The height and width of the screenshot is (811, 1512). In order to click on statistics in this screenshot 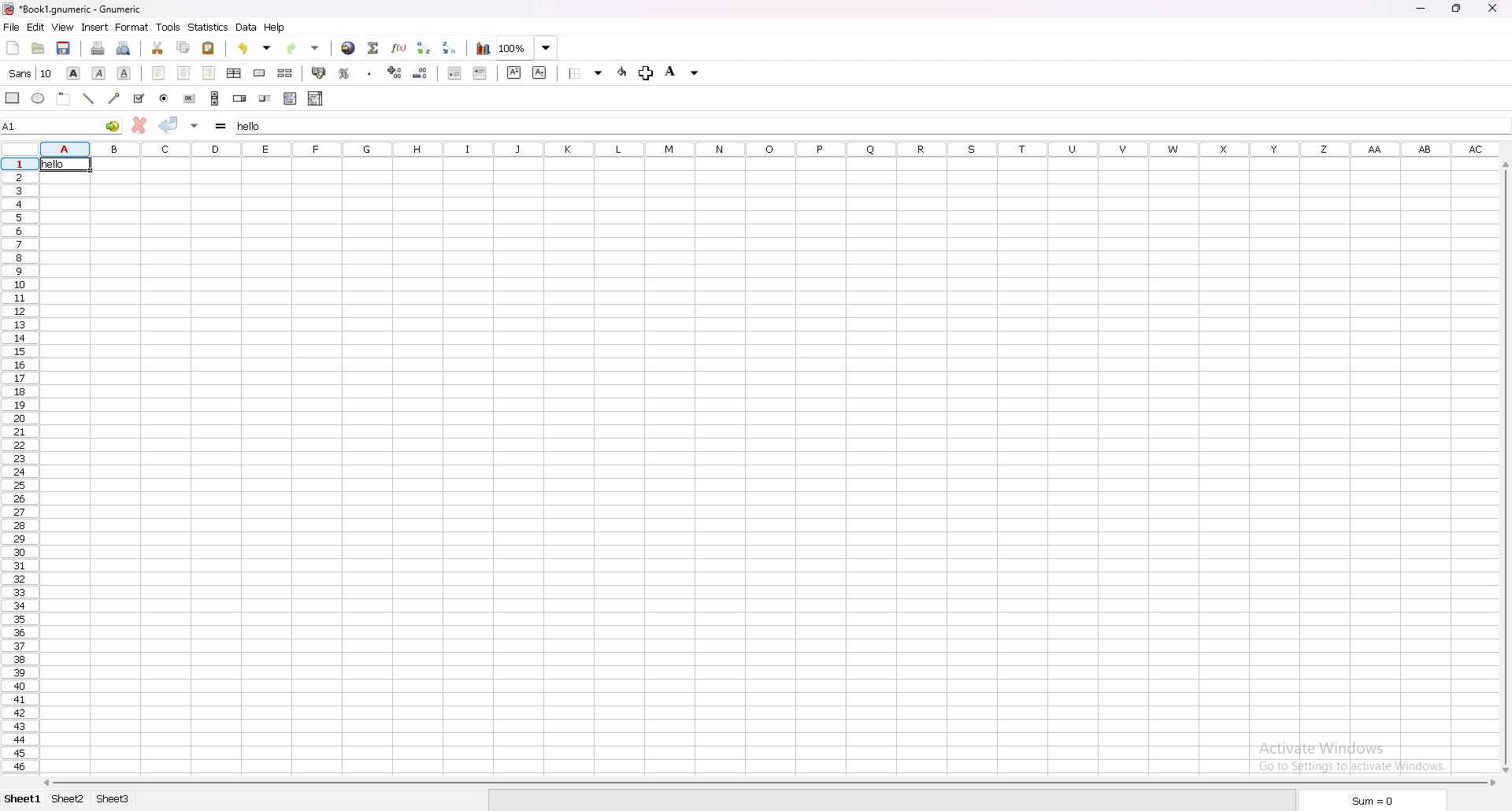, I will do `click(208, 27)`.